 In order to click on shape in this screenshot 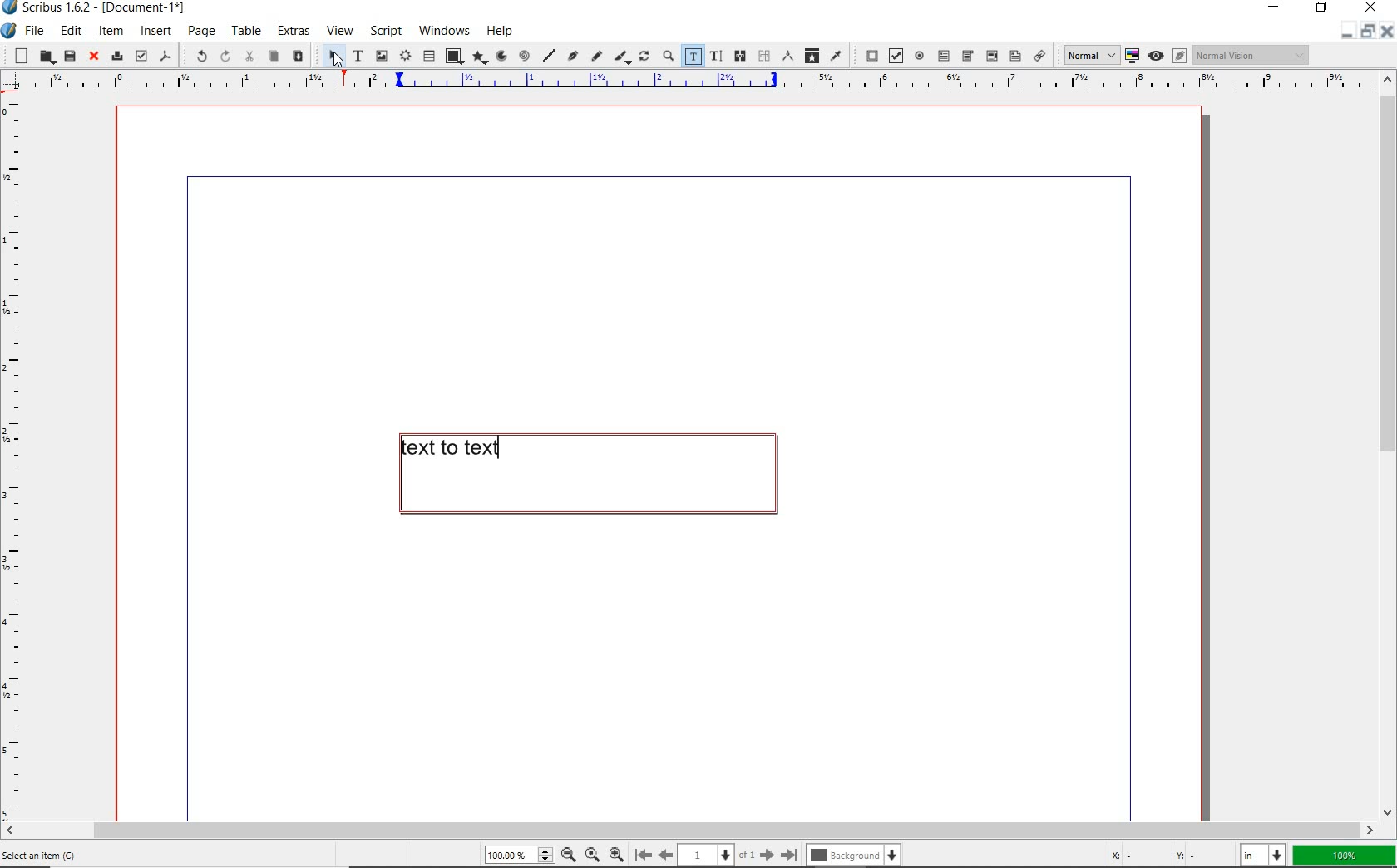, I will do `click(453, 57)`.